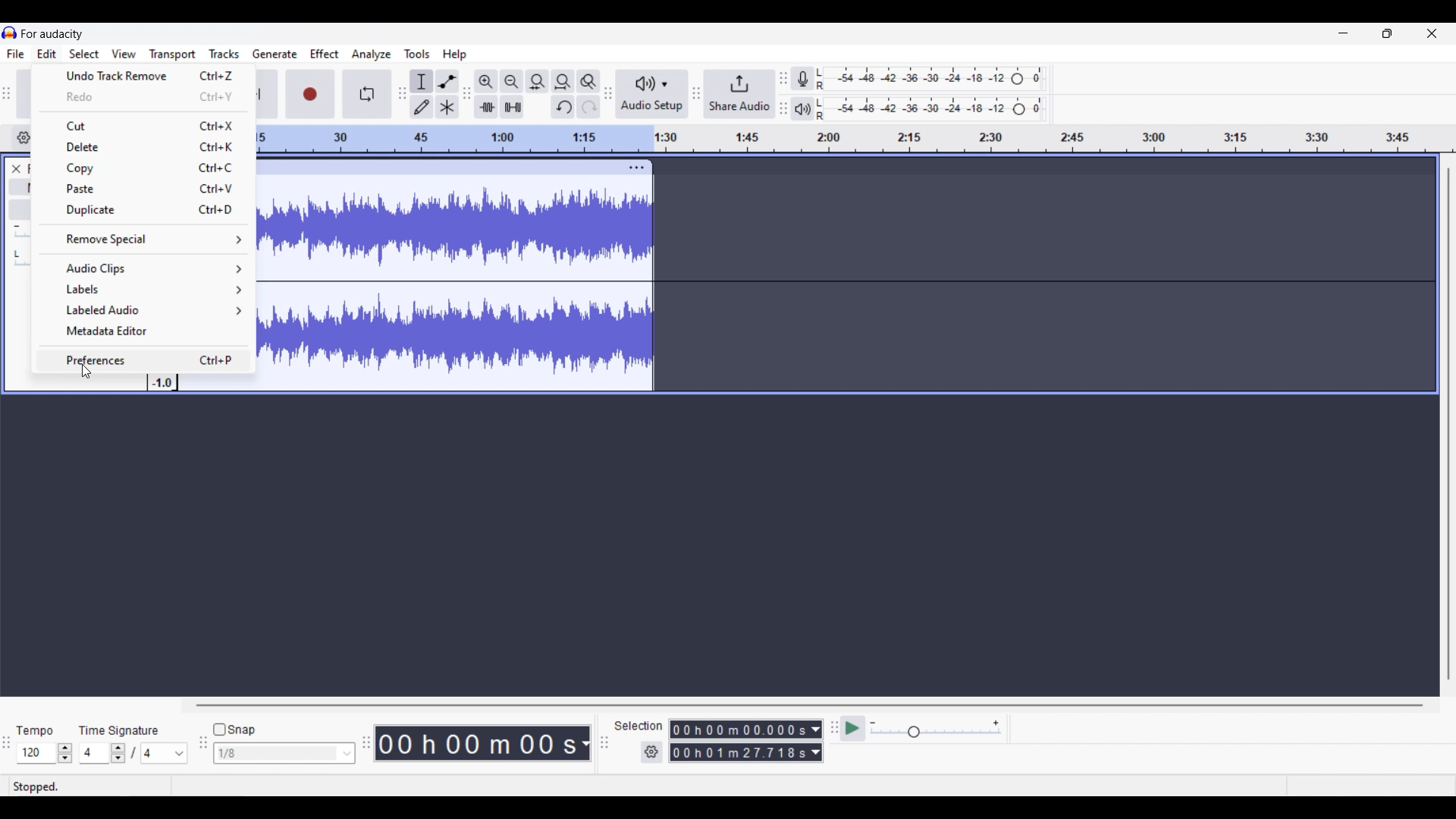 The width and height of the screenshot is (1456, 819). I want to click on Playback meter, so click(803, 108).